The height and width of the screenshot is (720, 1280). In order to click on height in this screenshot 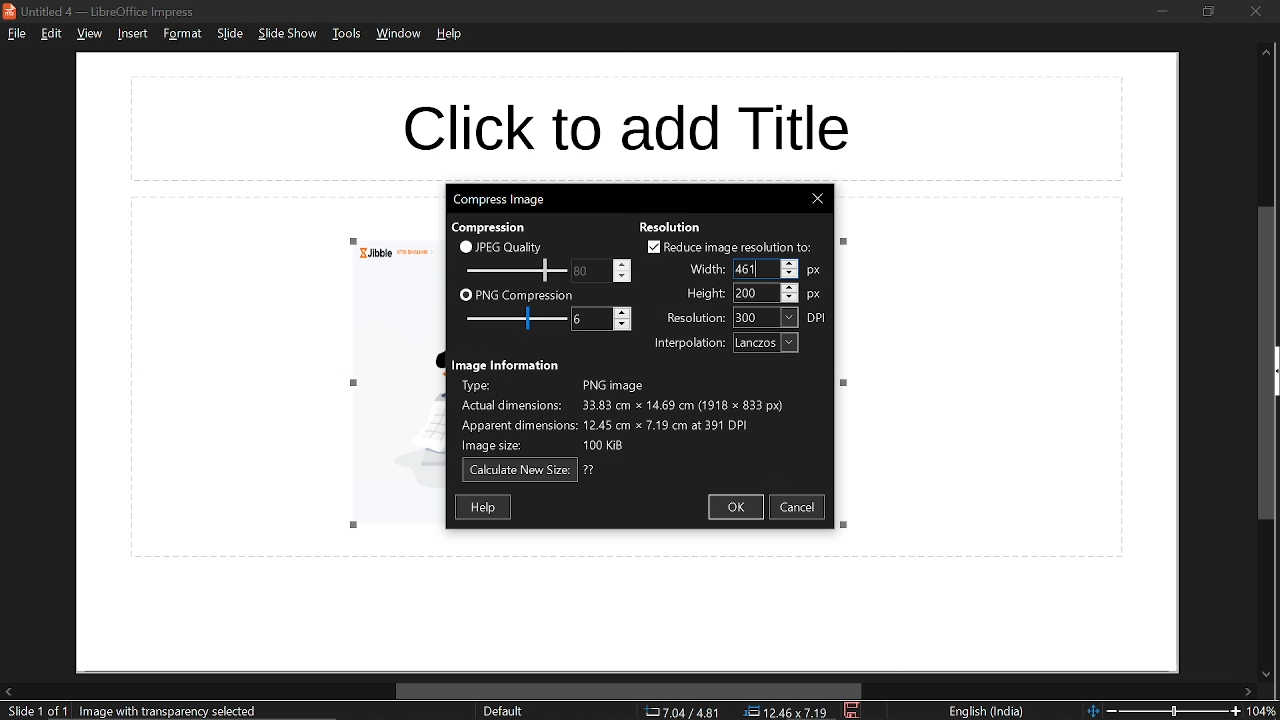, I will do `click(749, 294)`.